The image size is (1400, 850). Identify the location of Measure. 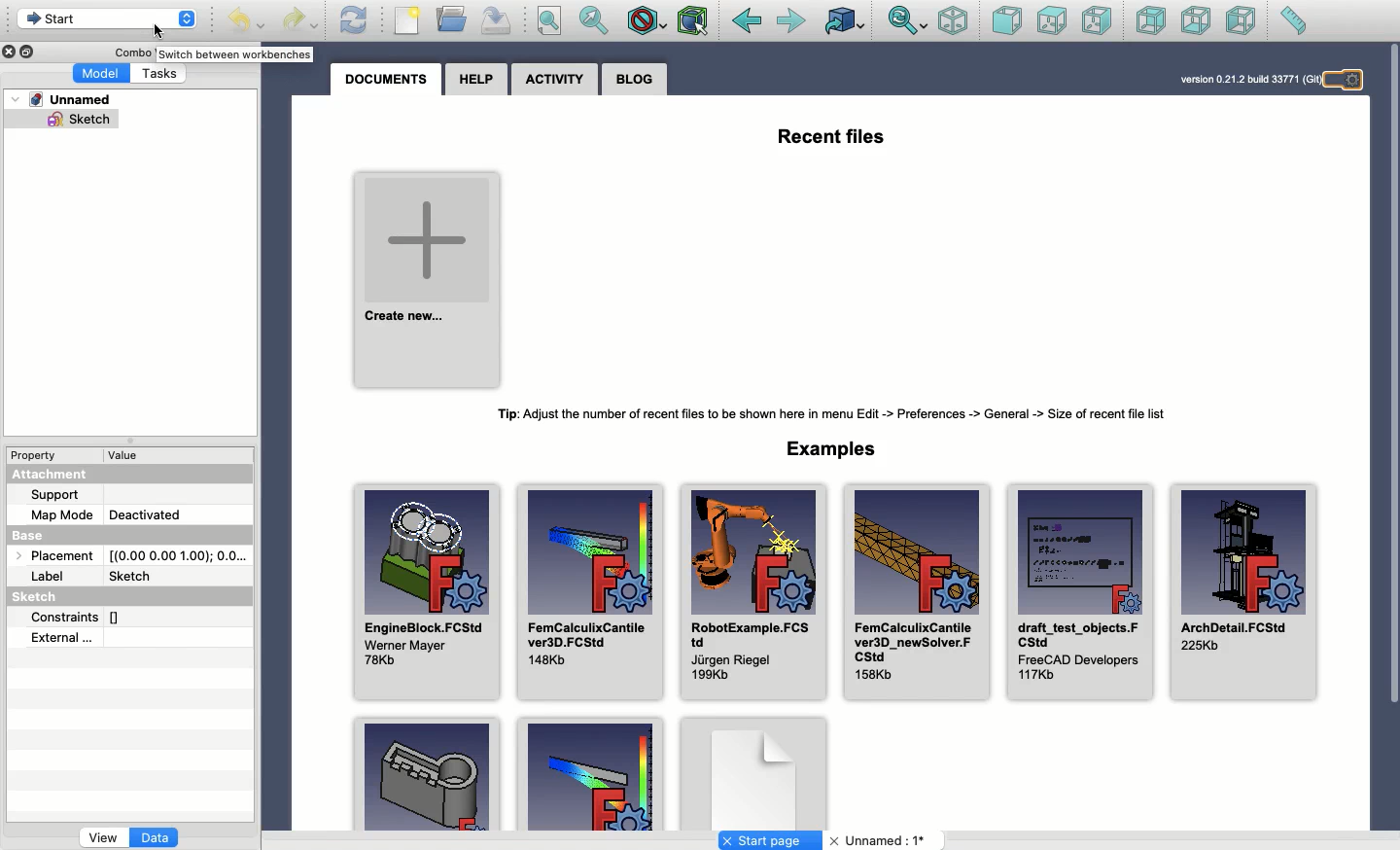
(1293, 20).